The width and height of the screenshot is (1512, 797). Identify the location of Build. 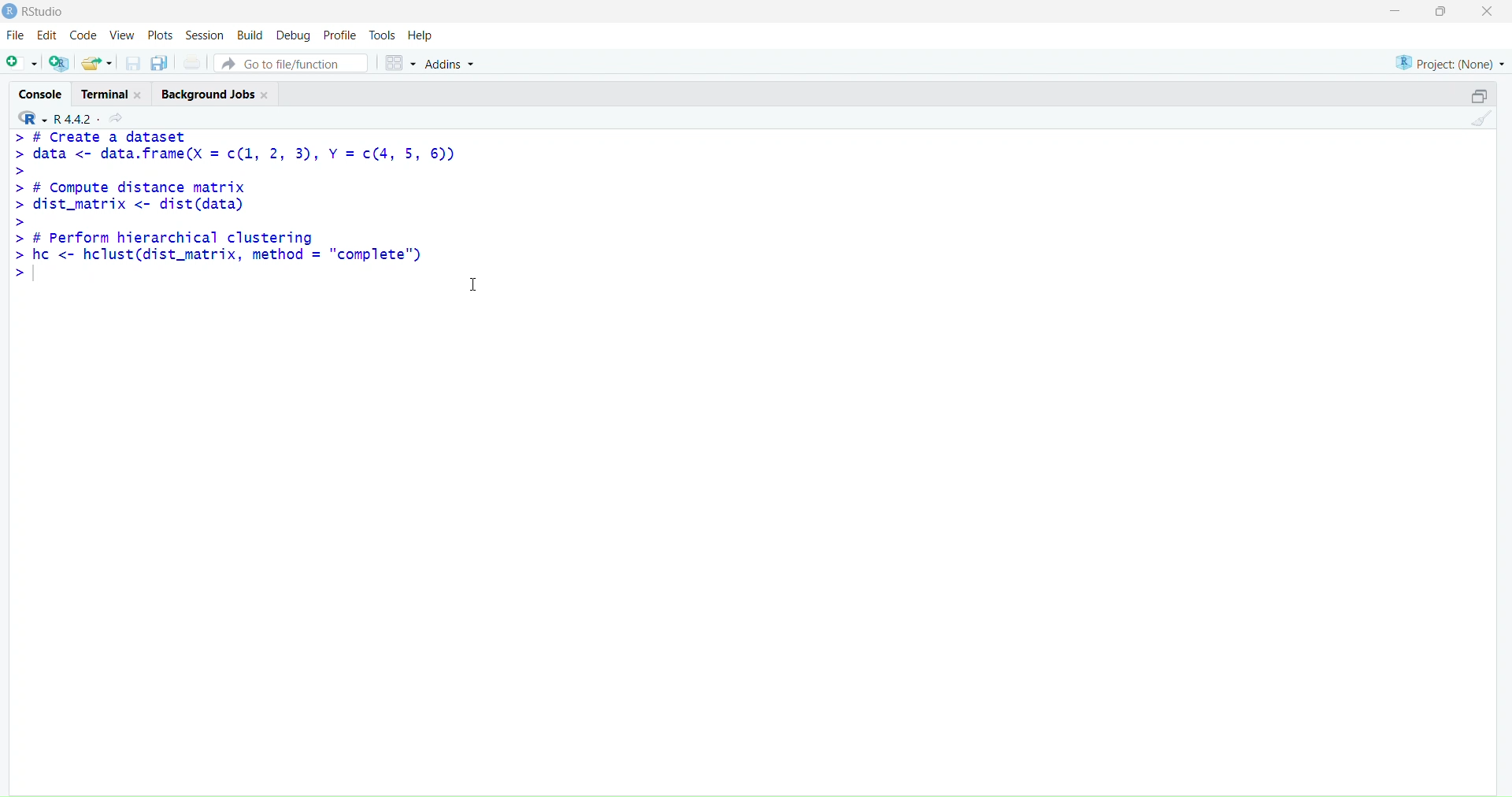
(250, 36).